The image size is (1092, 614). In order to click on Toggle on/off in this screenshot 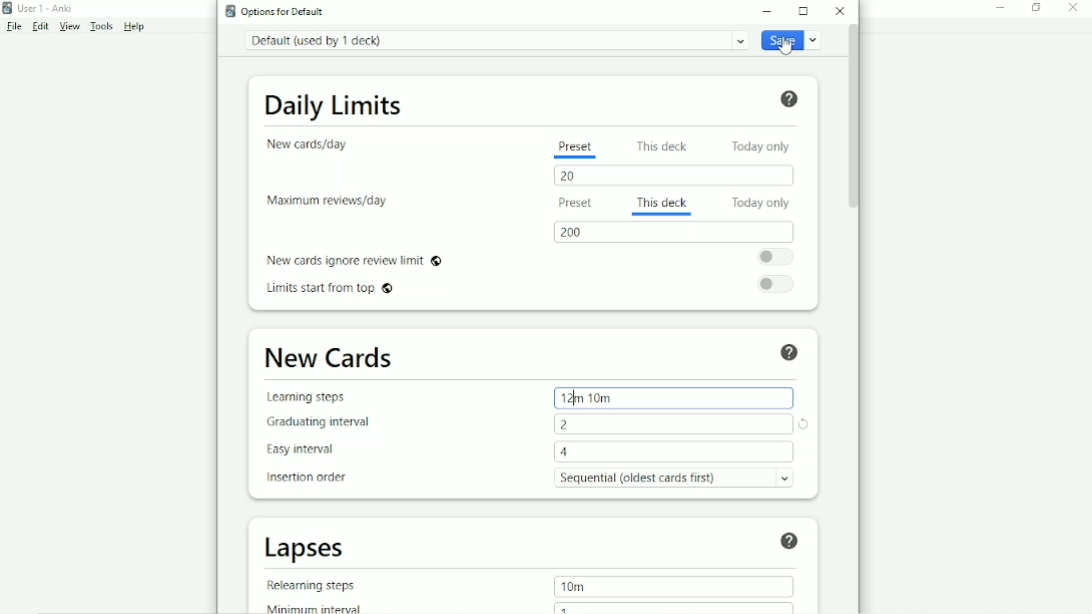, I will do `click(775, 256)`.